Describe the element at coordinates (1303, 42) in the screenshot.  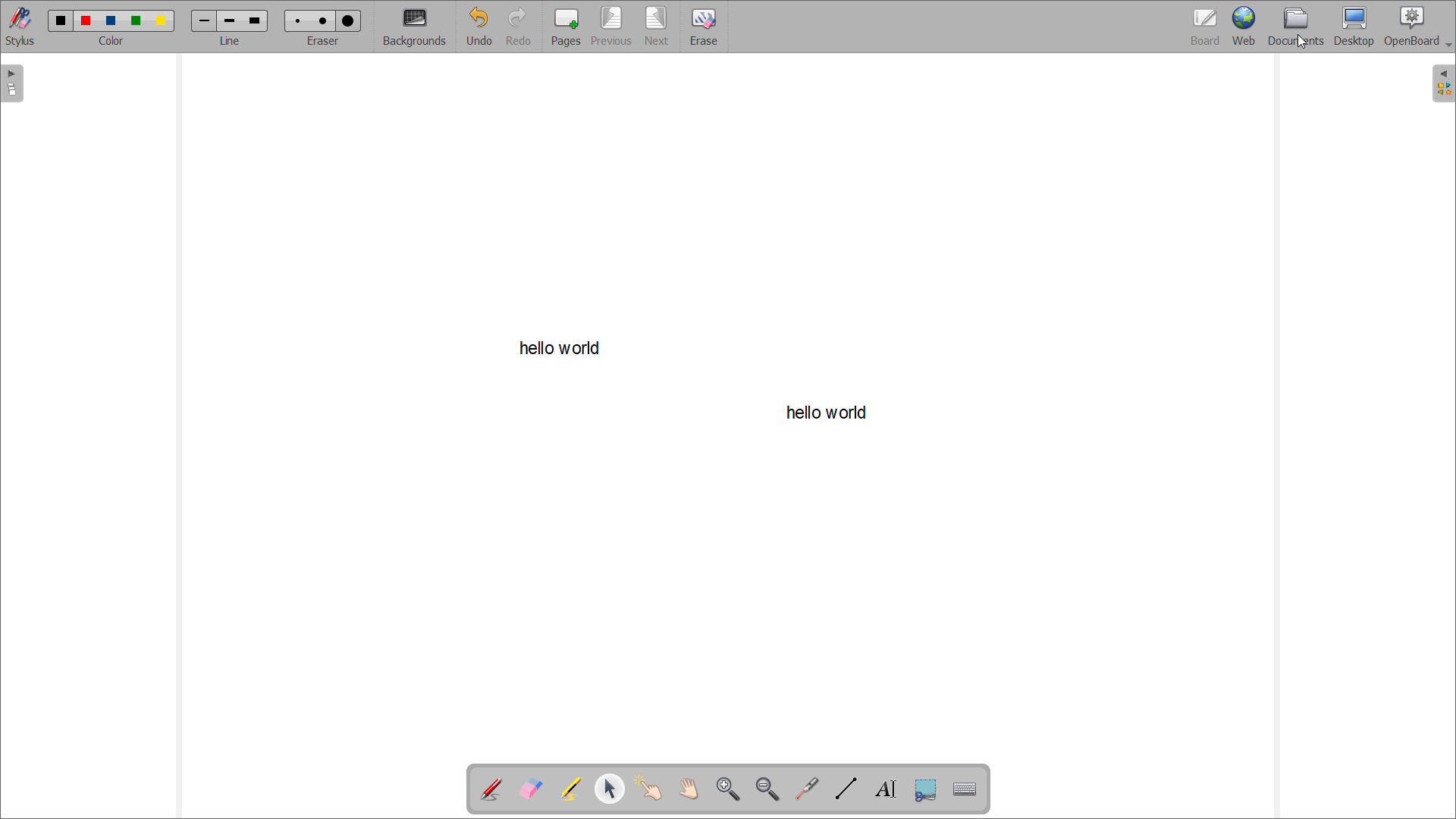
I see `cursor` at that location.